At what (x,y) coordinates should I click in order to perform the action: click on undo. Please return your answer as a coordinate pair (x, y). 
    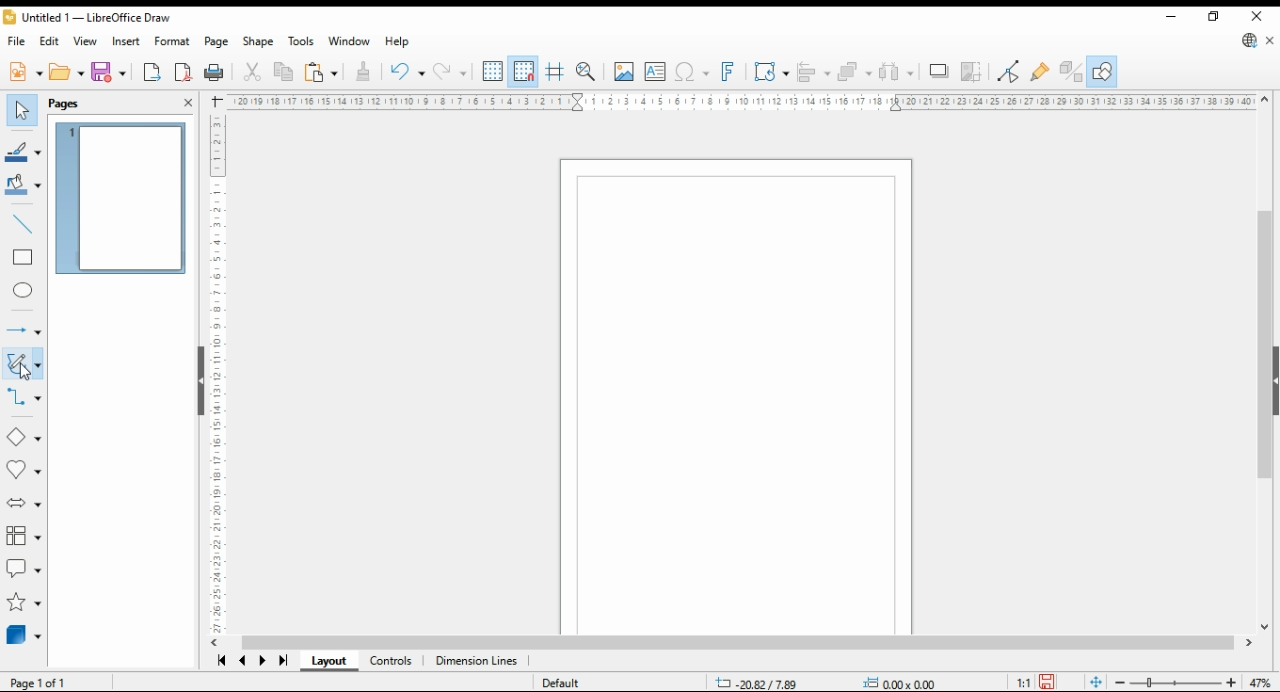
    Looking at the image, I should click on (408, 72).